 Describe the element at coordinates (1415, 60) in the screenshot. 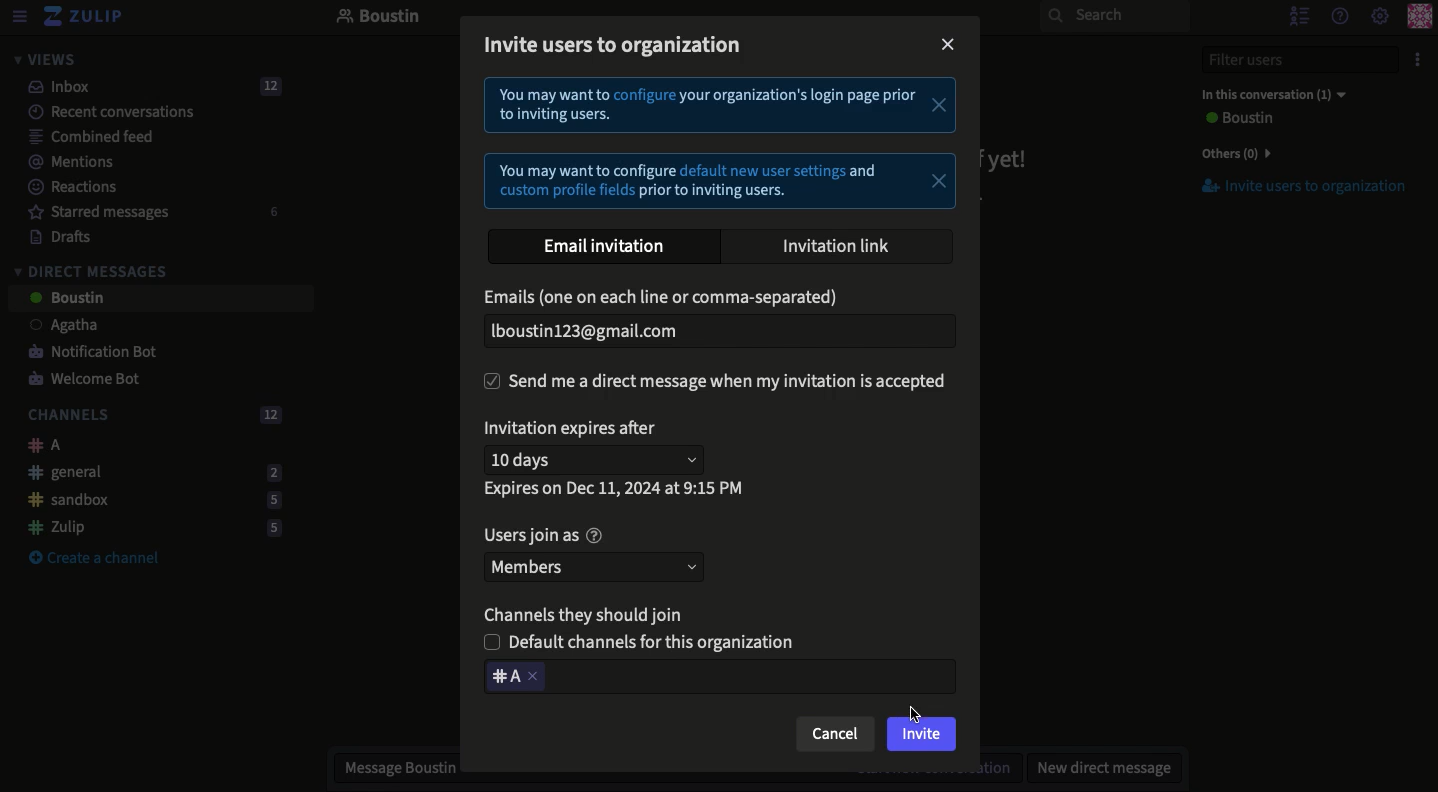

I see `Options` at that location.